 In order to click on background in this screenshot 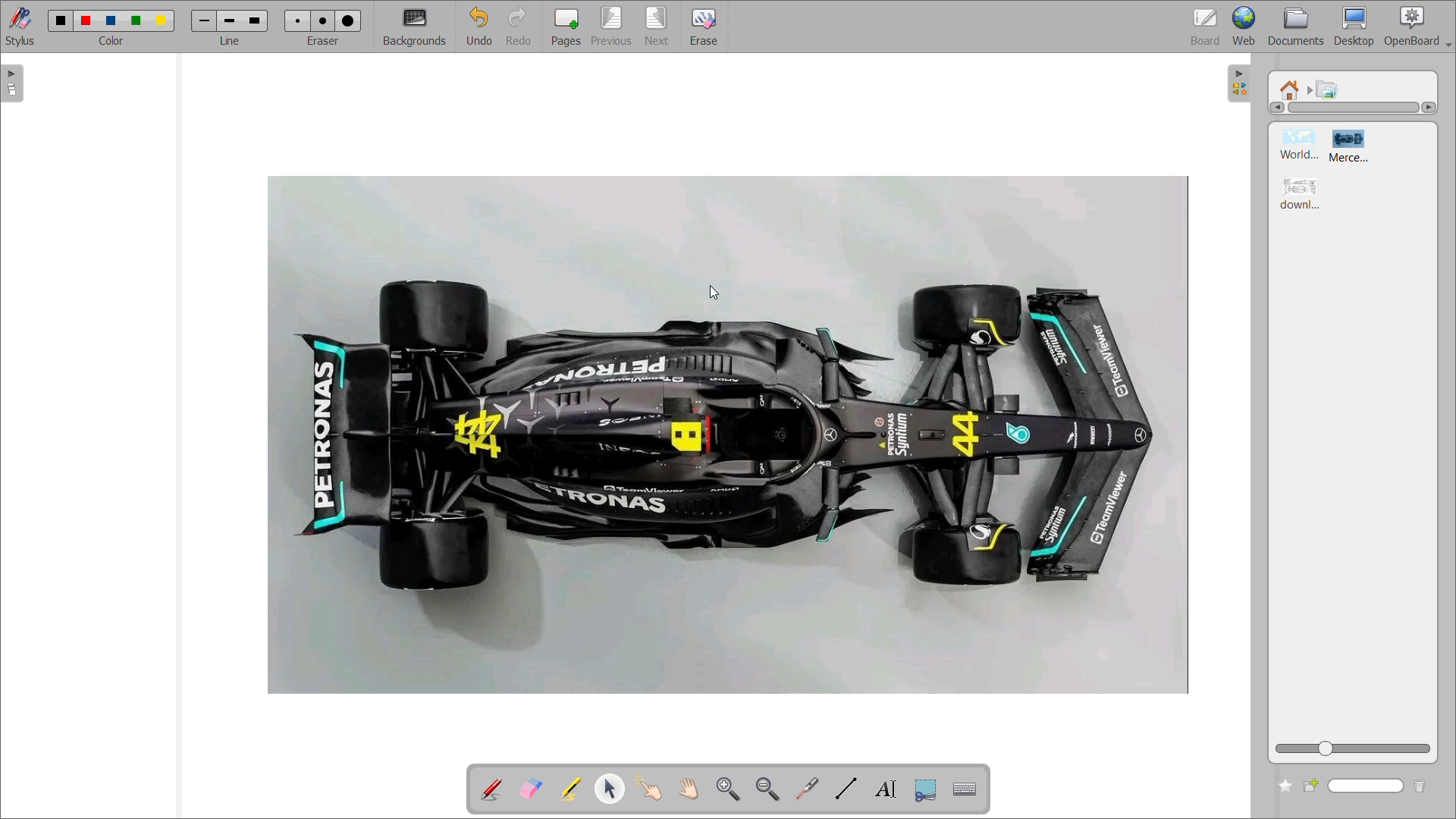, I will do `click(416, 25)`.